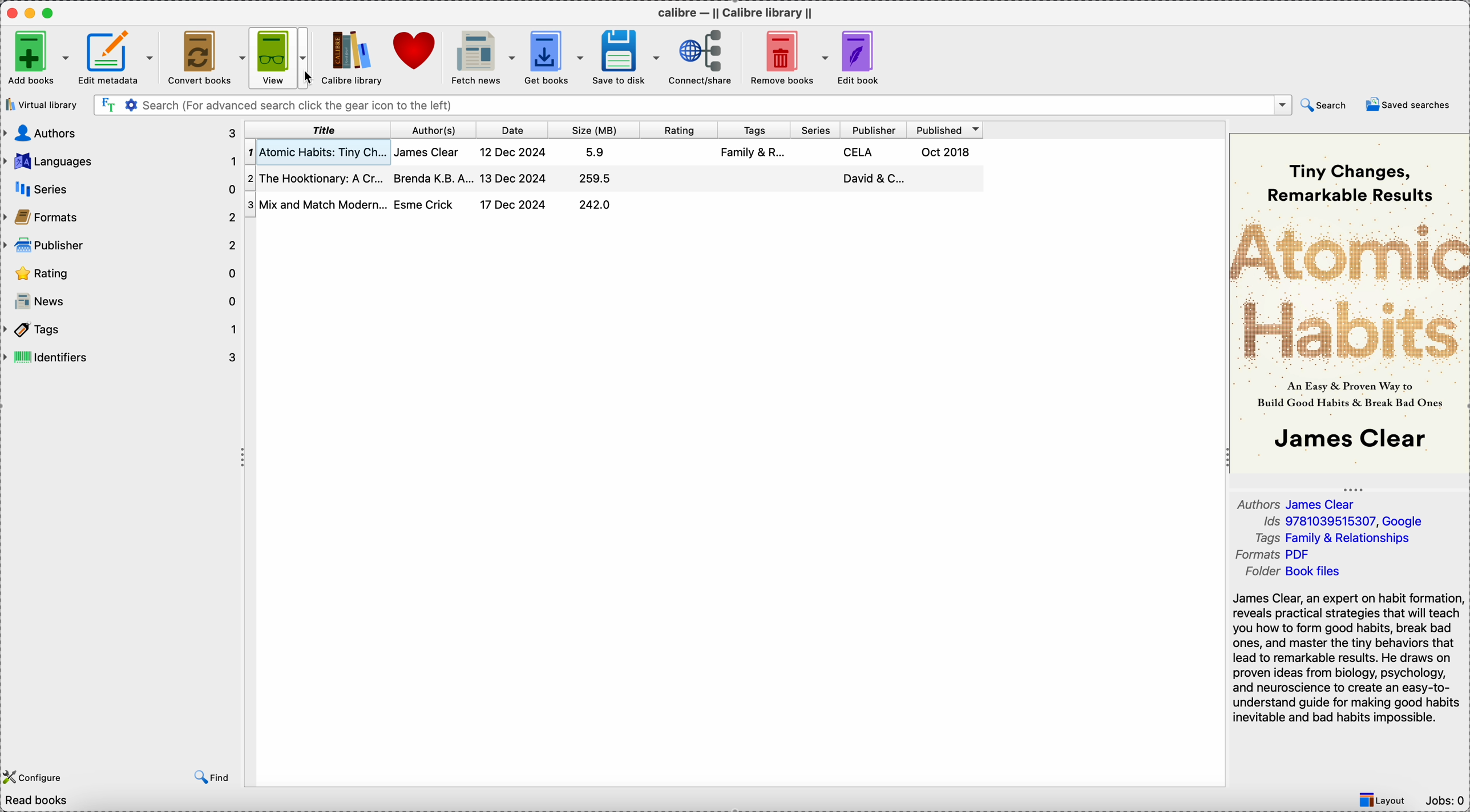  I want to click on 12 Dec 2024, so click(514, 152).